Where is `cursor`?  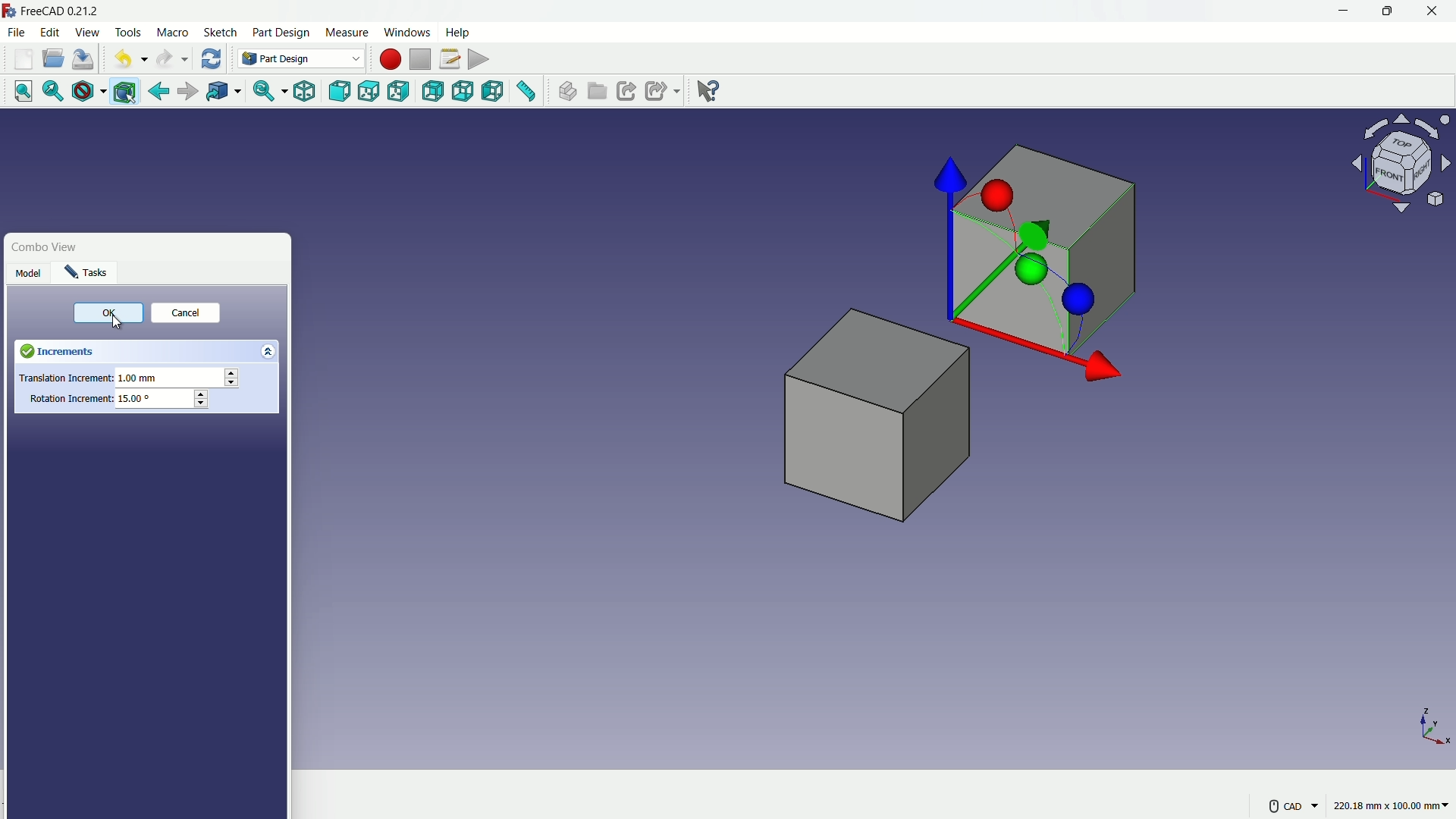
cursor is located at coordinates (120, 325).